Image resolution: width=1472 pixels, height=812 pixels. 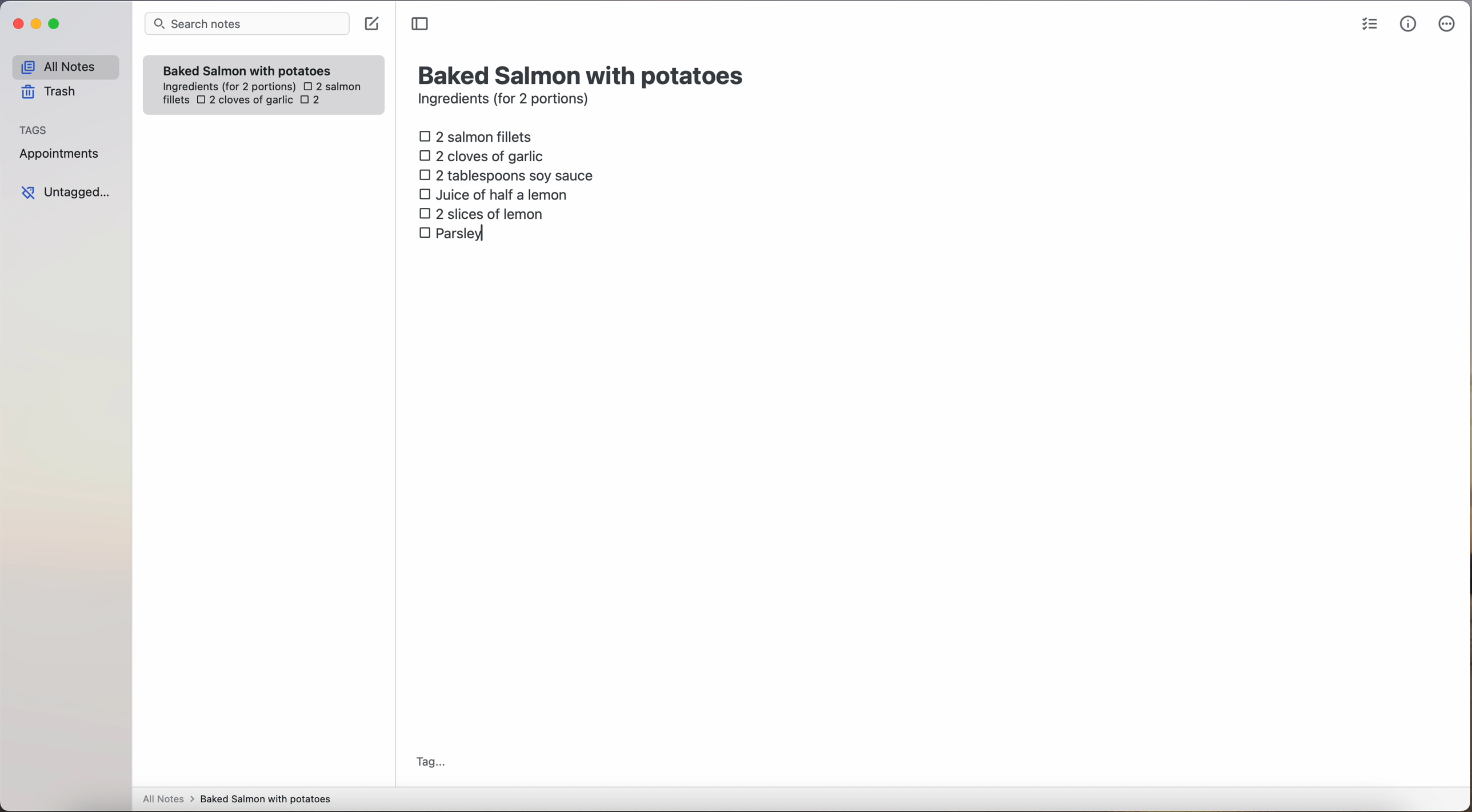 I want to click on 2 slices of lemon, so click(x=482, y=214).